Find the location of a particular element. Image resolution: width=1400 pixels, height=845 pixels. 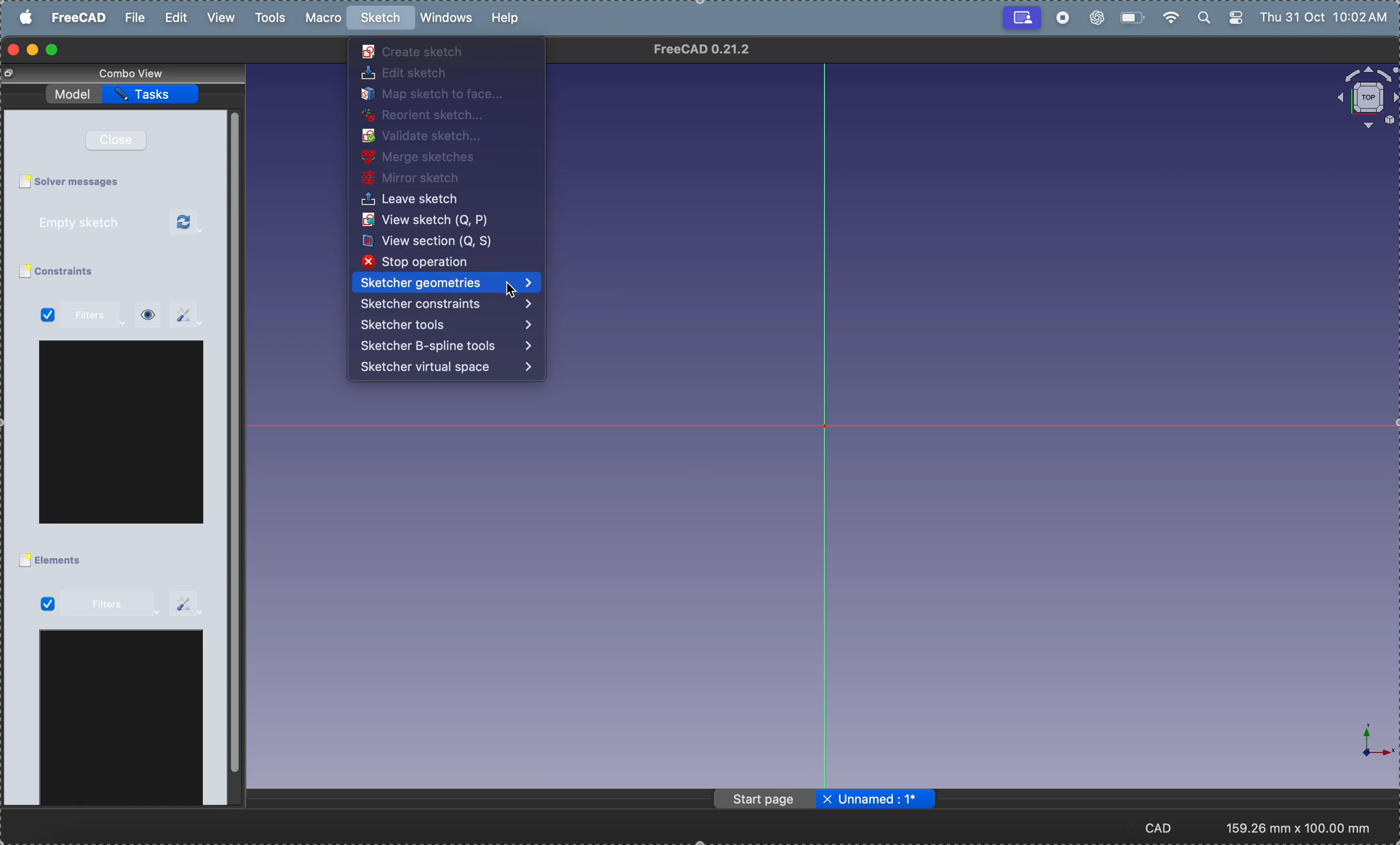

wifi is located at coordinates (1168, 18).